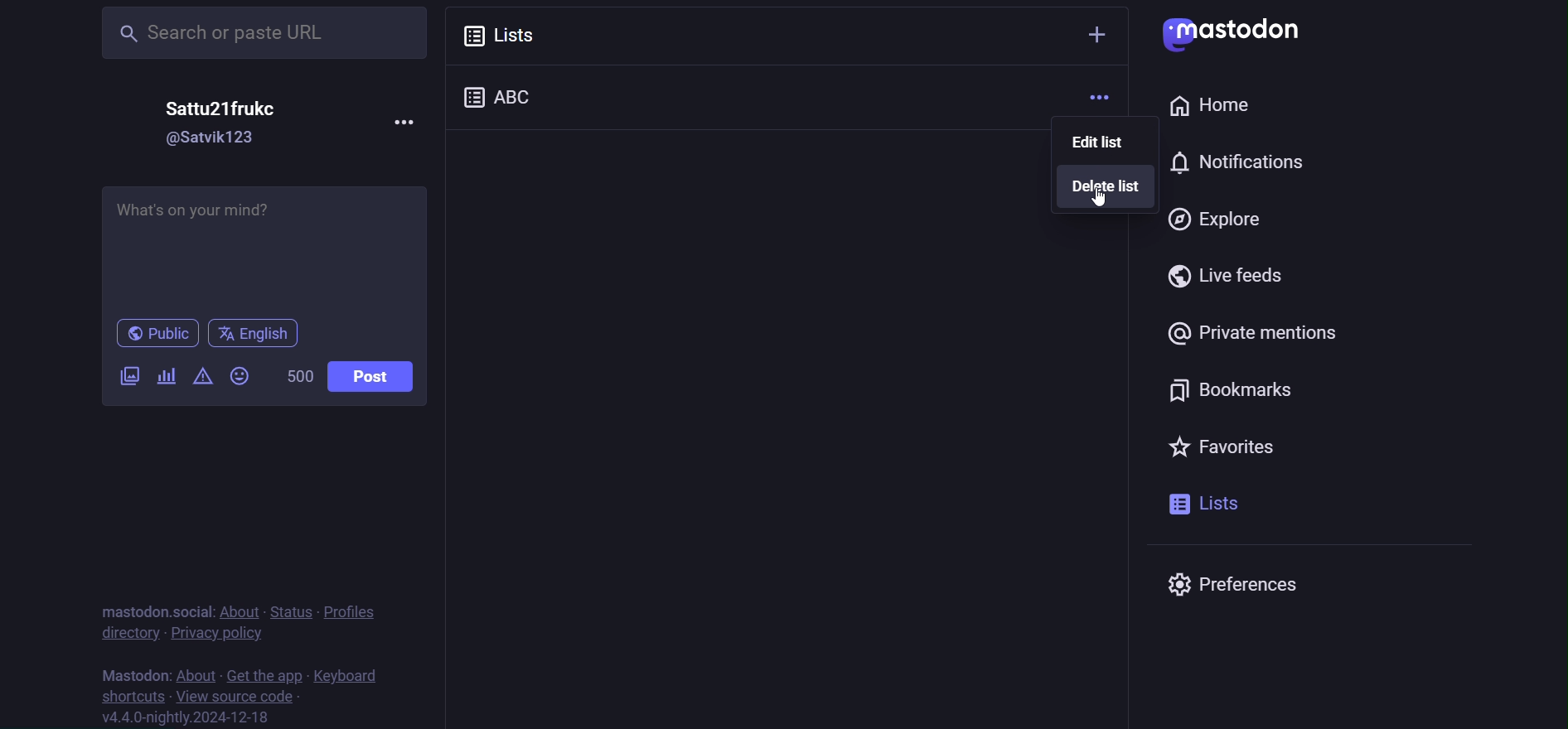 This screenshot has height=729, width=1568. Describe the element at coordinates (287, 608) in the screenshot. I see `status` at that location.